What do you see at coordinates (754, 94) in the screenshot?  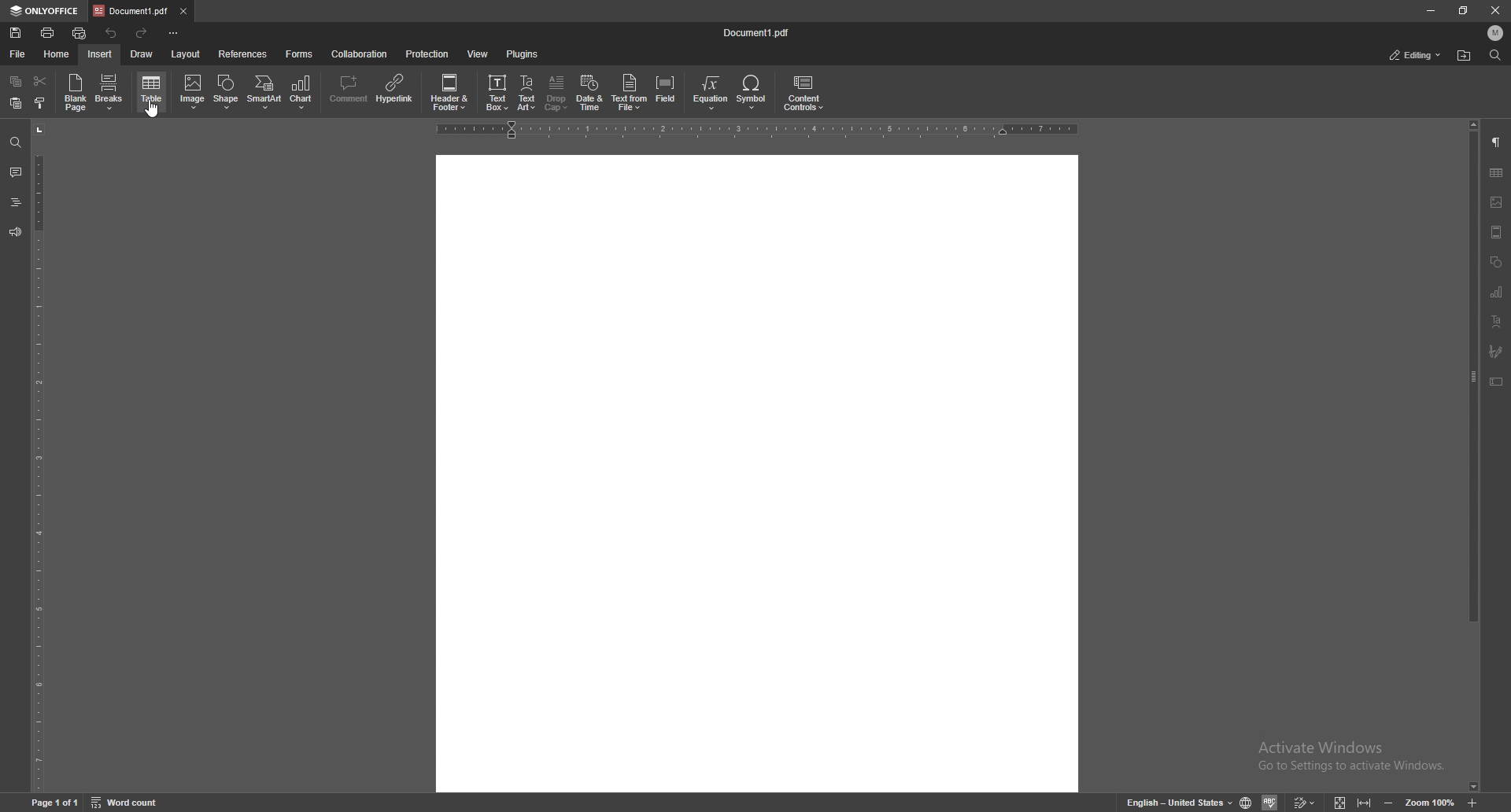 I see `symbol` at bounding box center [754, 94].